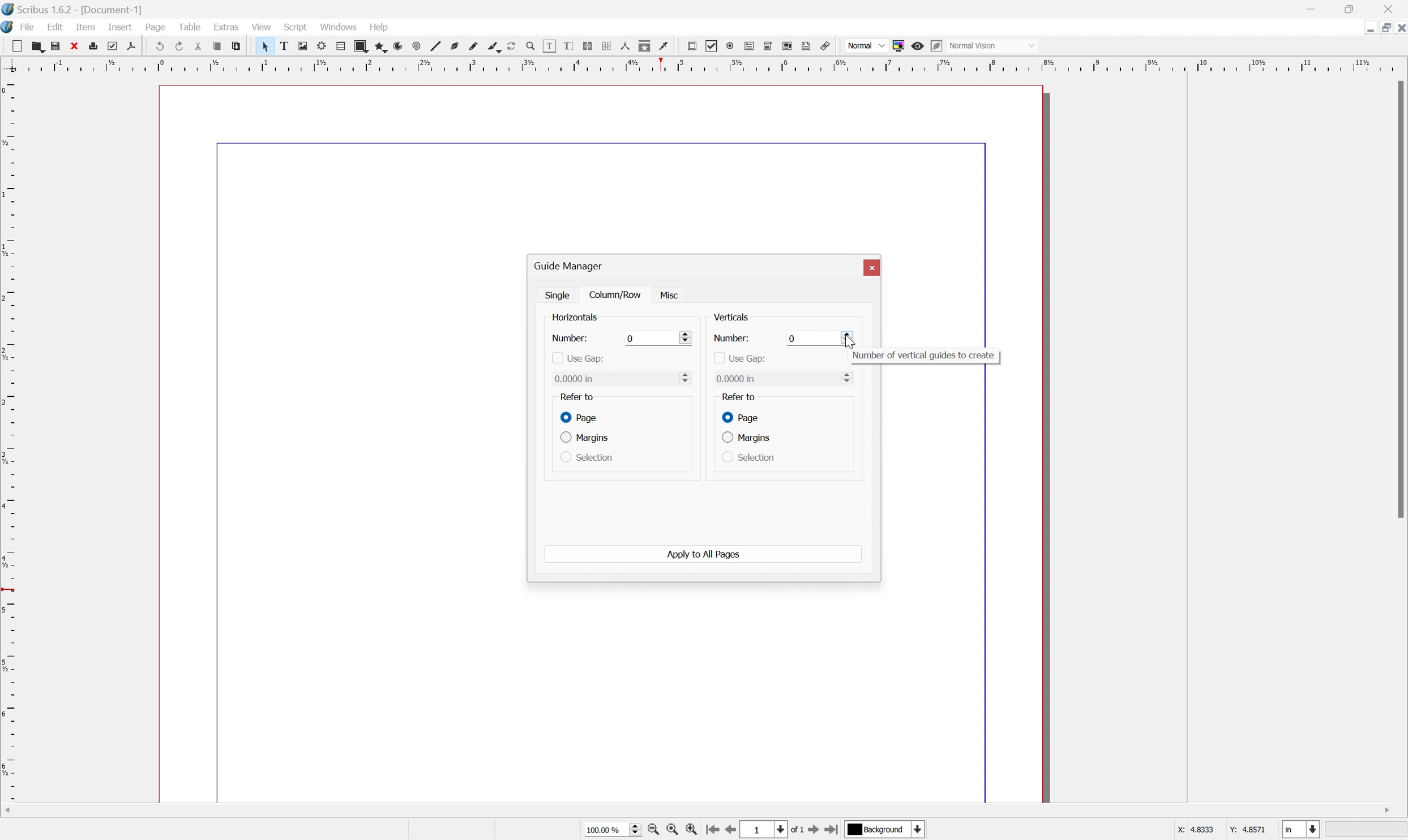 The image size is (1408, 840). Describe the element at coordinates (322, 47) in the screenshot. I see `render frame` at that location.